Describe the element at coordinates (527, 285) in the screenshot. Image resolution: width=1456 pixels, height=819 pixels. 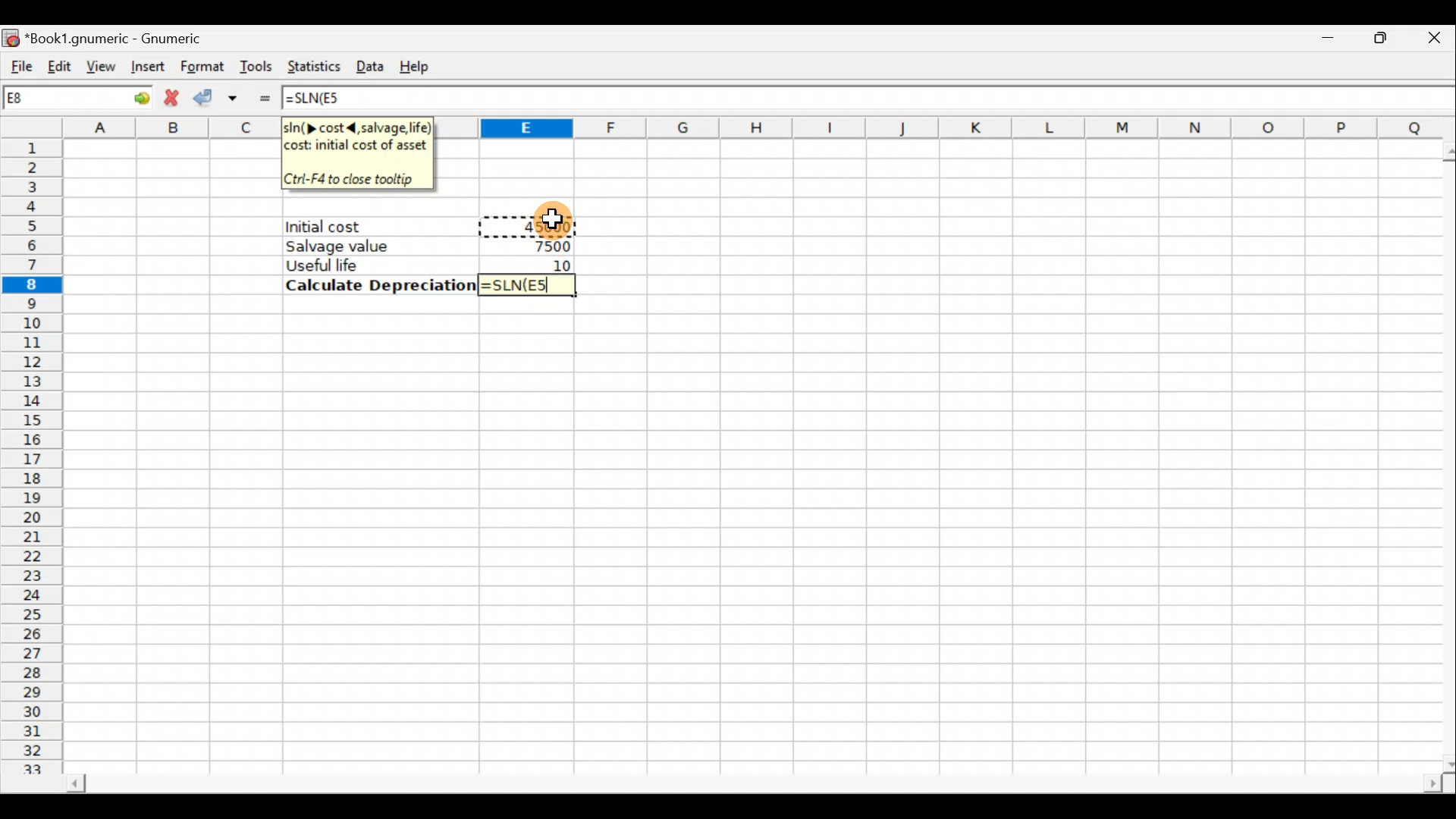
I see `=SLN(E5` at that location.